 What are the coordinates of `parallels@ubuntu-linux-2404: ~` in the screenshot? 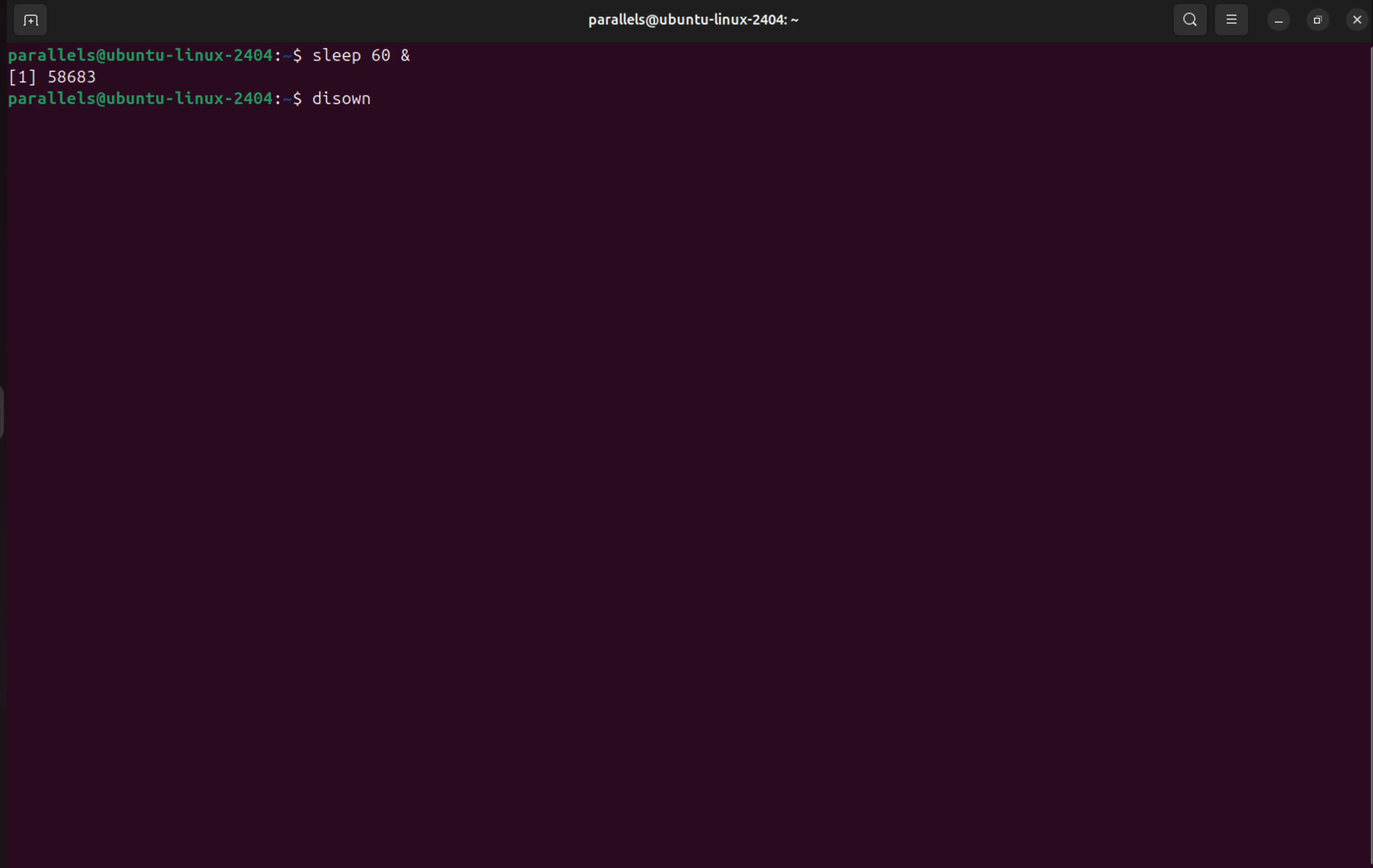 It's located at (689, 21).